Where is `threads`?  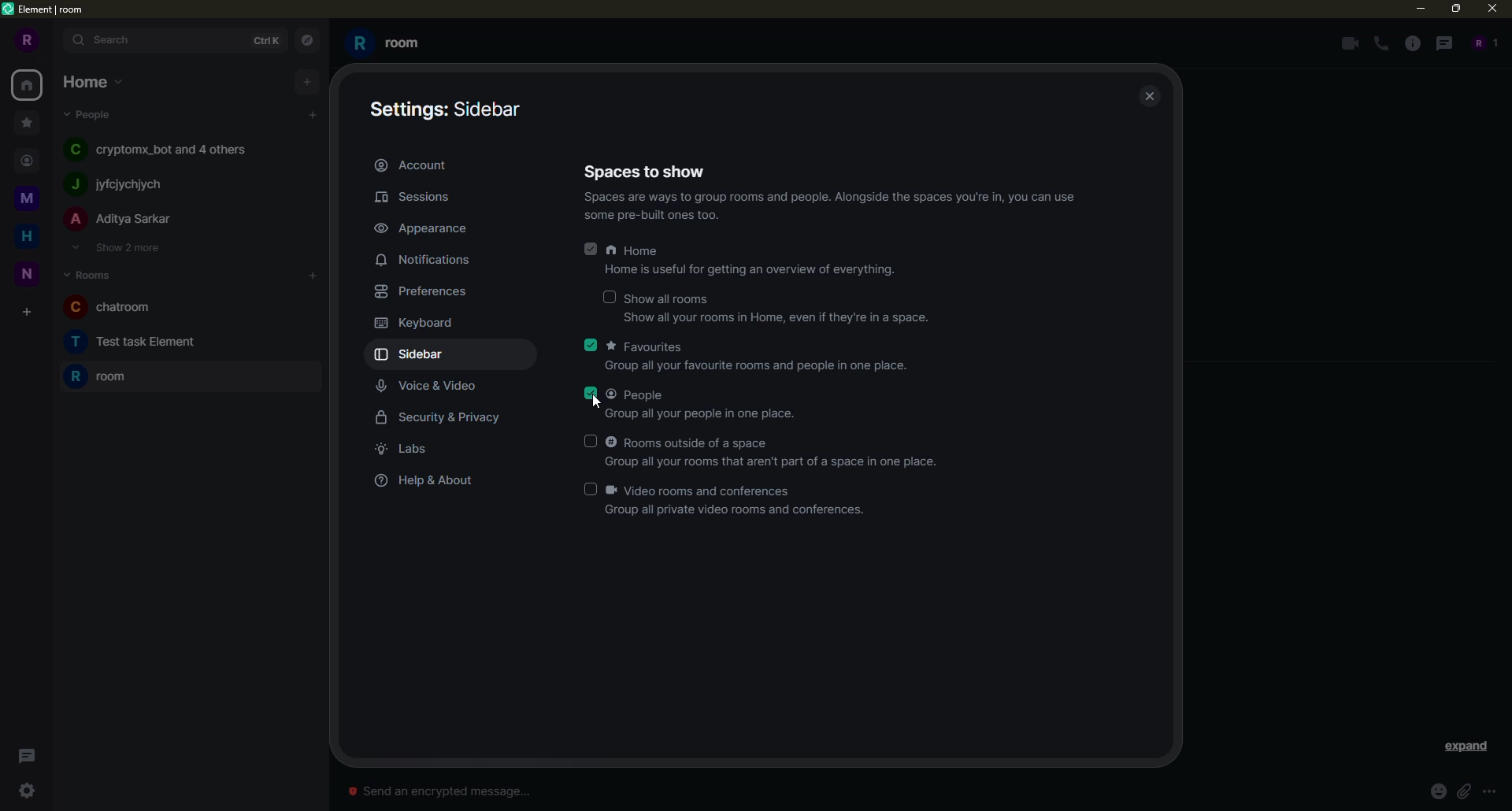 threads is located at coordinates (25, 753).